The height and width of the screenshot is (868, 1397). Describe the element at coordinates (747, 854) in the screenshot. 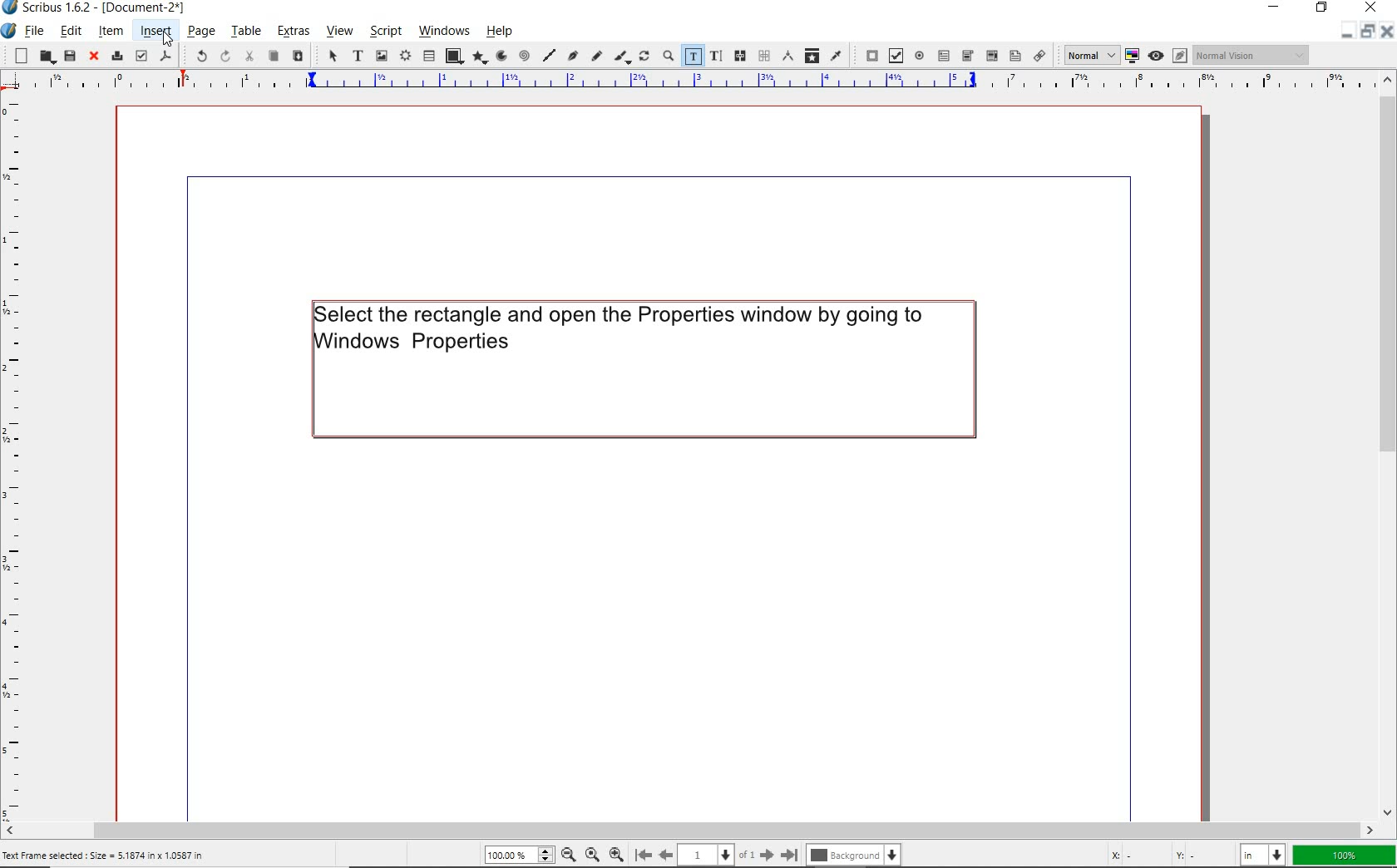

I see `of 1` at that location.